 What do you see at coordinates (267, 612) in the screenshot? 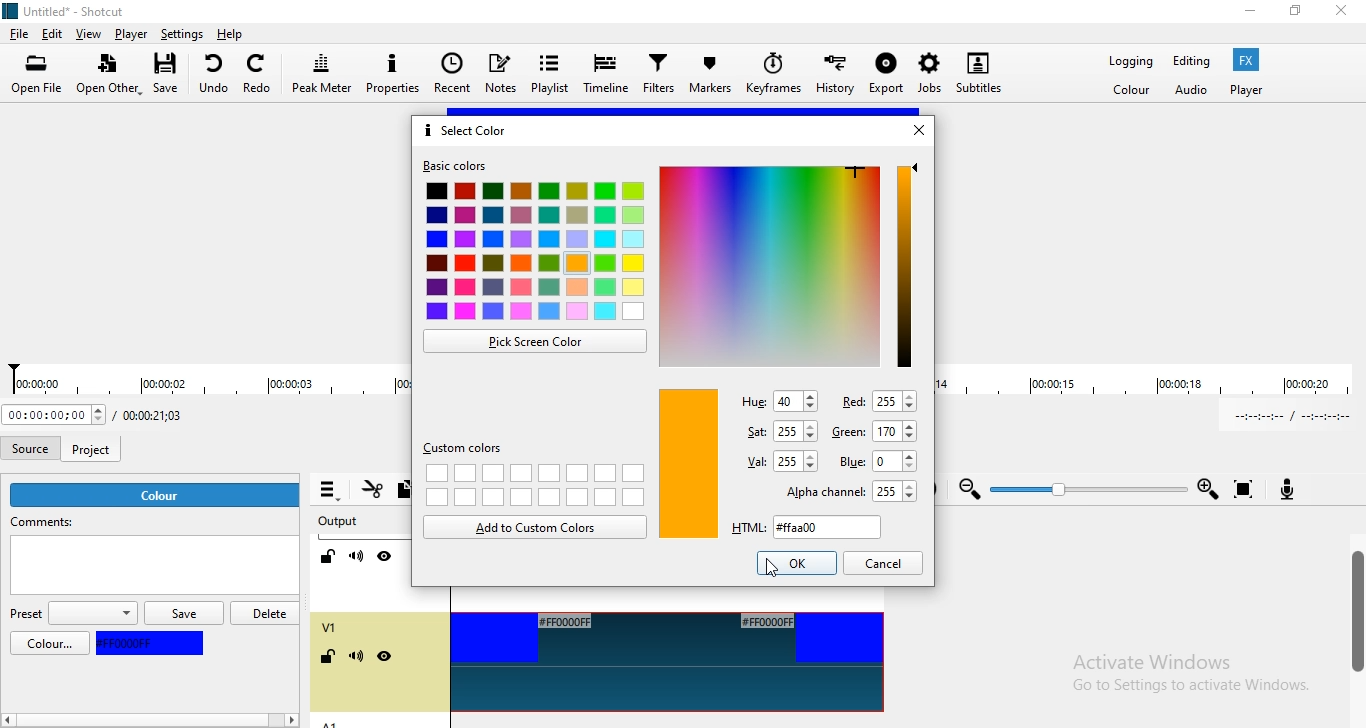
I see `delete` at bounding box center [267, 612].